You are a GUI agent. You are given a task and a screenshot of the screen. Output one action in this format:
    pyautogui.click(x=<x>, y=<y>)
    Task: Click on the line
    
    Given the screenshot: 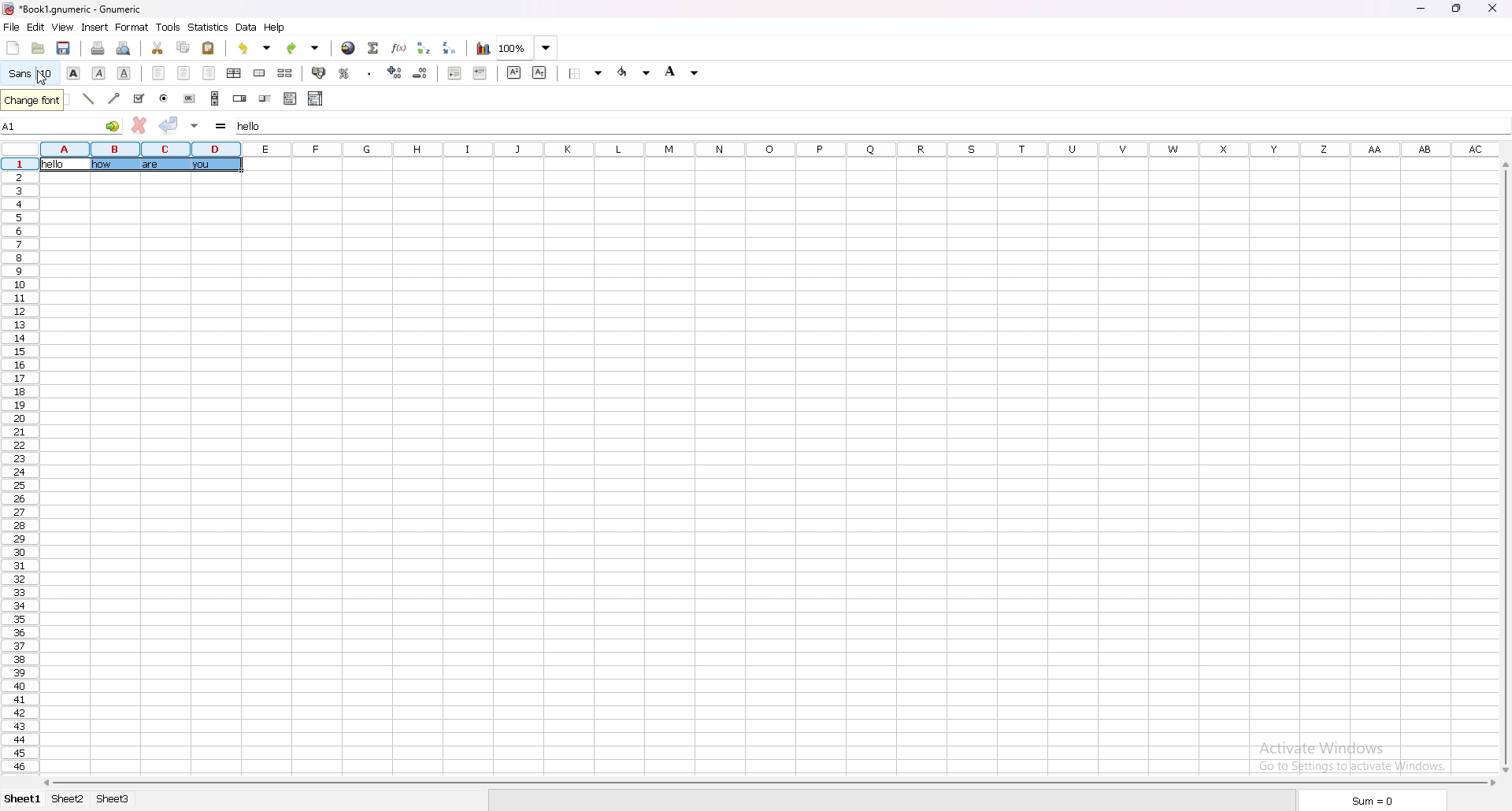 What is the action you would take?
    pyautogui.click(x=89, y=99)
    